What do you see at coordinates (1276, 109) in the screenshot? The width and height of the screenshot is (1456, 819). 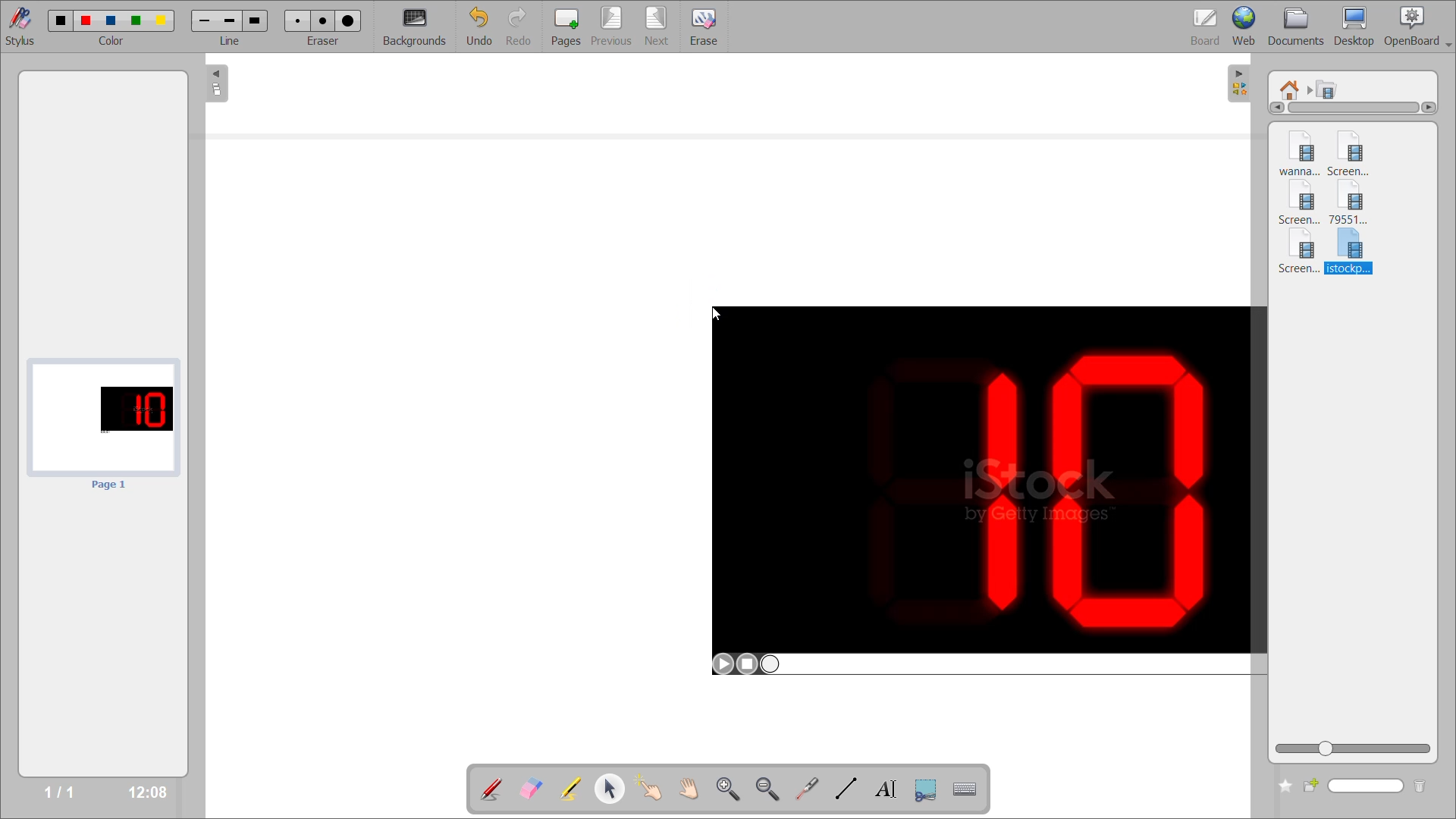 I see `Left arrow` at bounding box center [1276, 109].